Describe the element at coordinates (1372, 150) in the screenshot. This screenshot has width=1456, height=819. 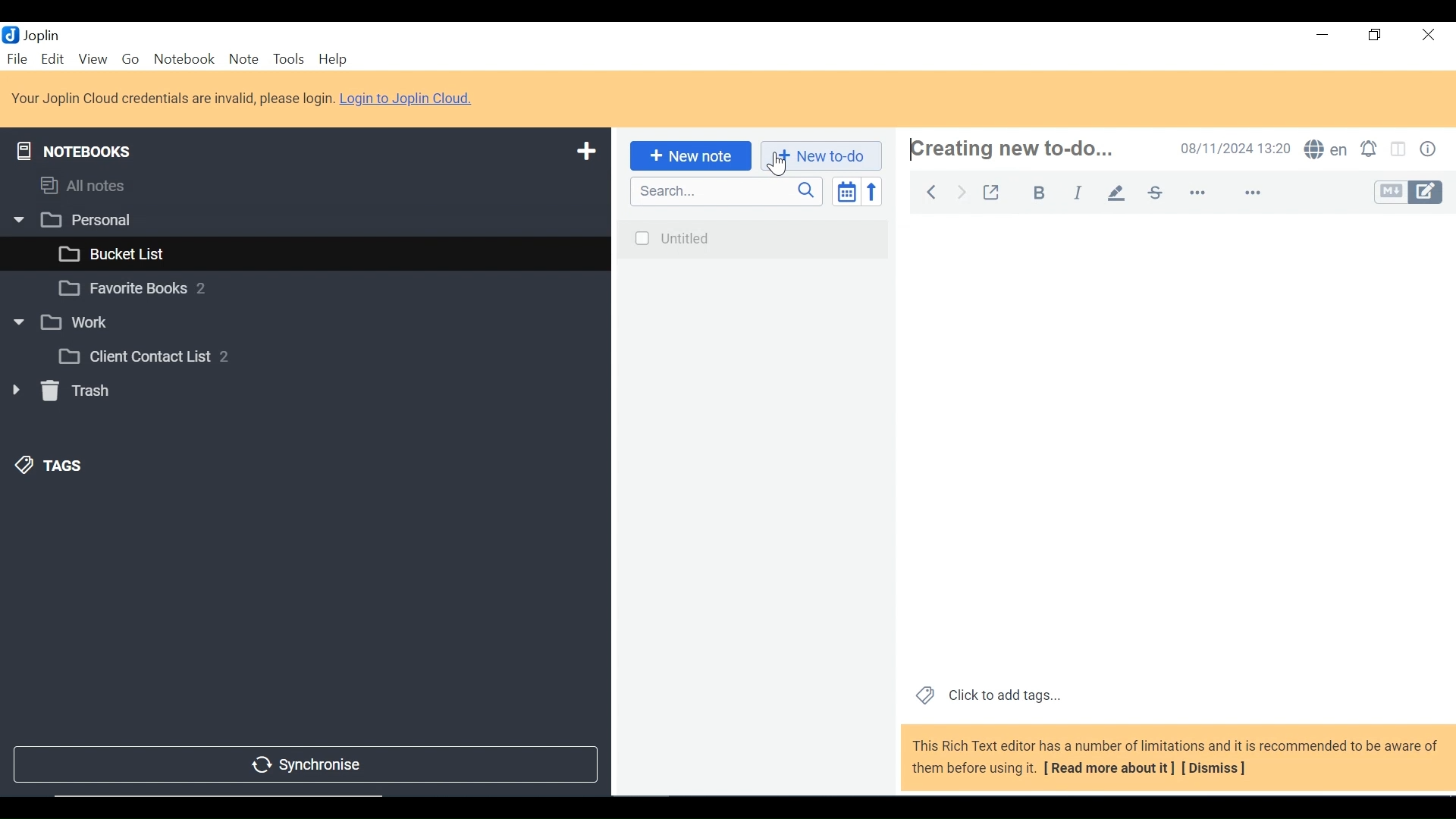
I see `Set alarm` at that location.